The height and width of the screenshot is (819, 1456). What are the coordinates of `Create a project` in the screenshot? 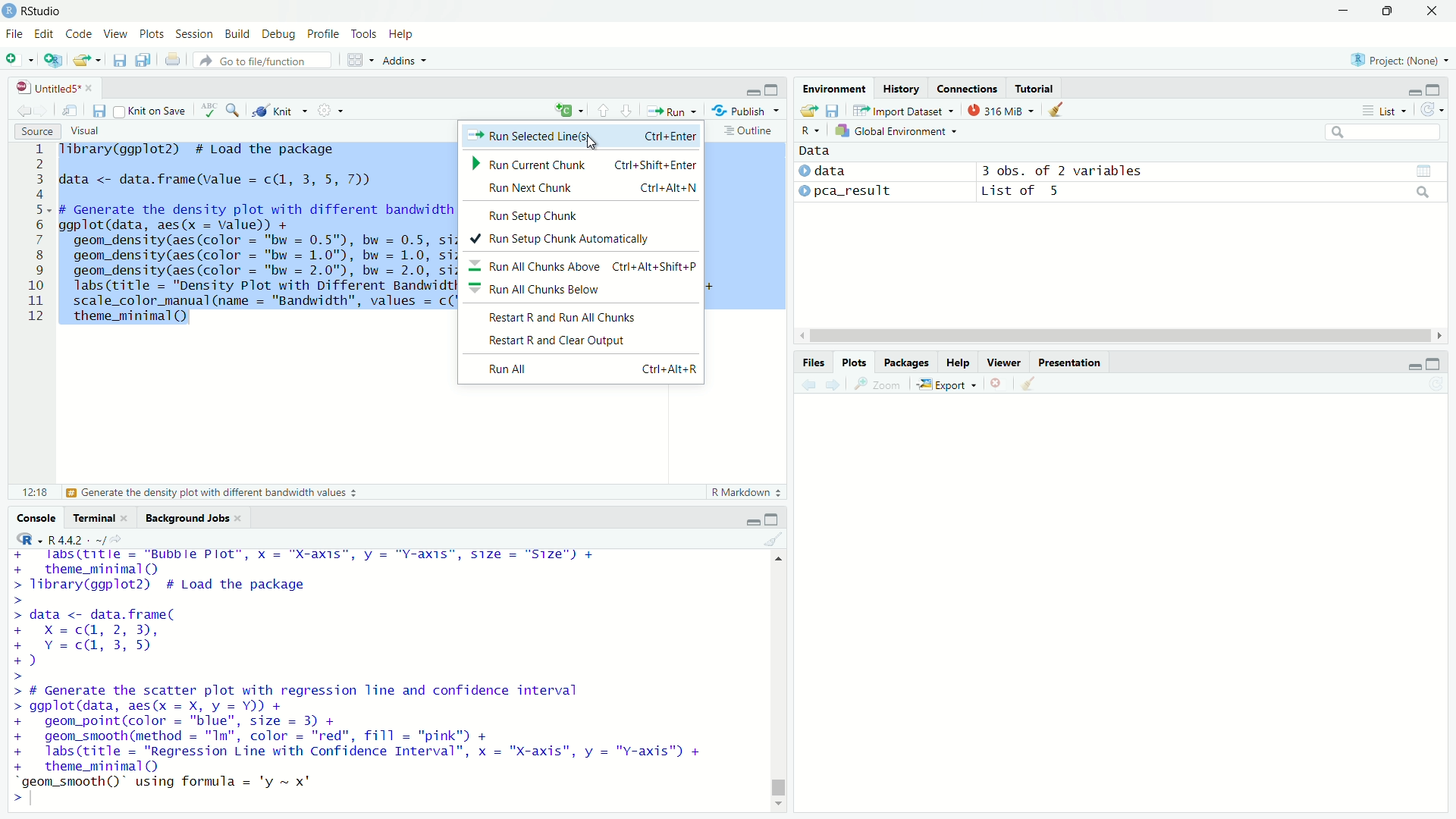 It's located at (54, 59).